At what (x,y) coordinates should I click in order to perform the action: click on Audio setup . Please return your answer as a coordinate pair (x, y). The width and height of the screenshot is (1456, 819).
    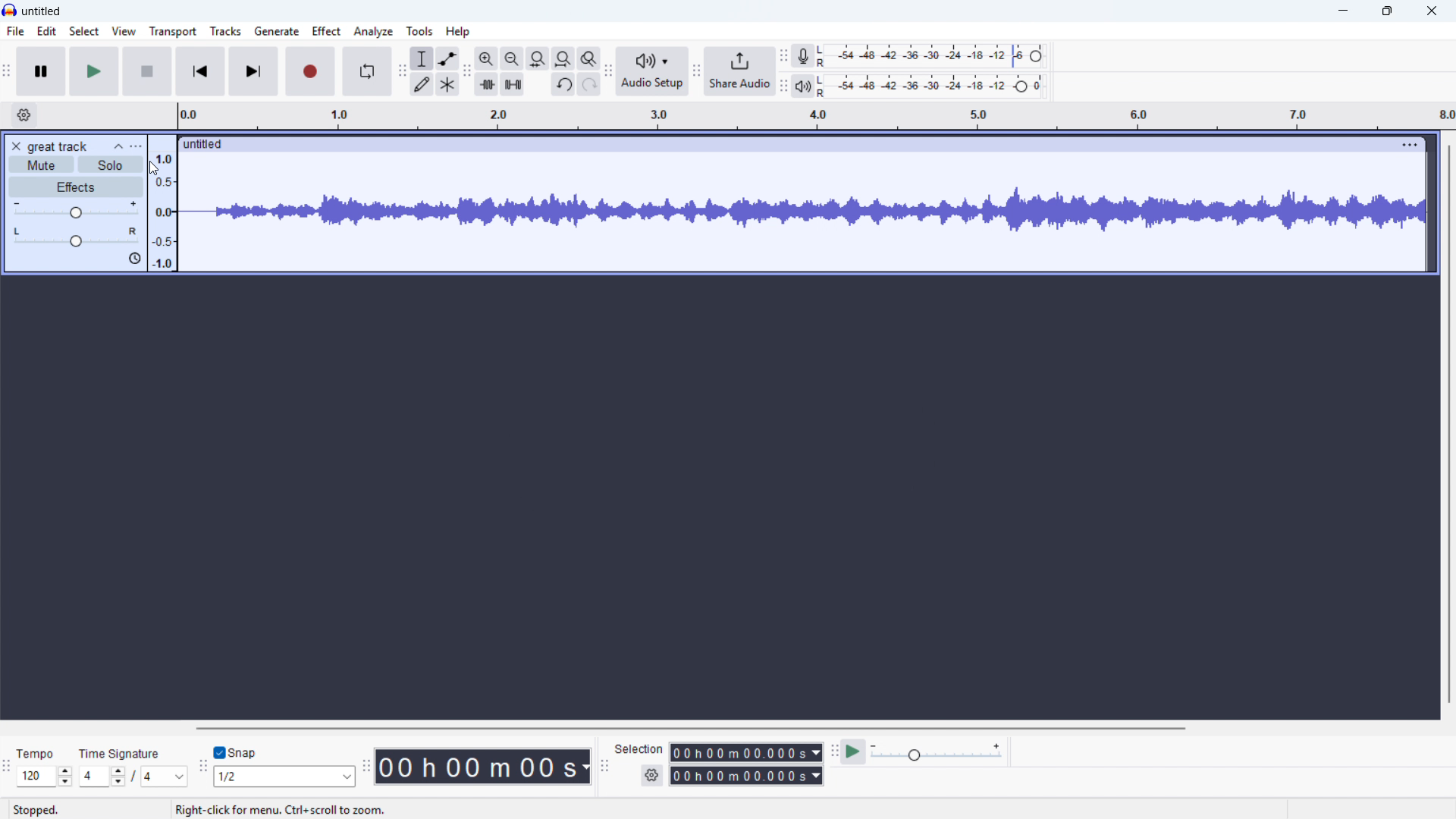
    Looking at the image, I should click on (652, 71).